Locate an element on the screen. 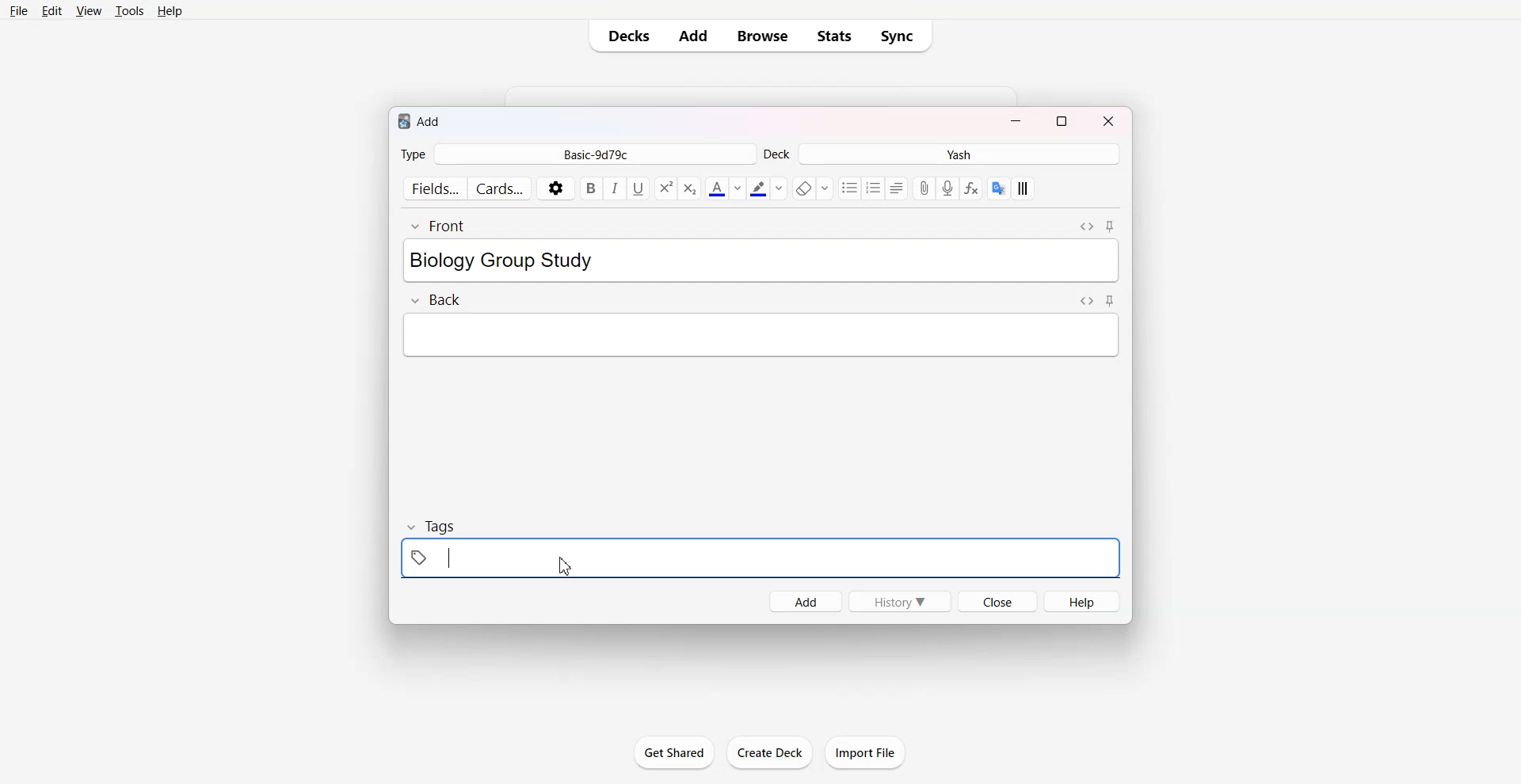  Get Shared is located at coordinates (674, 752).